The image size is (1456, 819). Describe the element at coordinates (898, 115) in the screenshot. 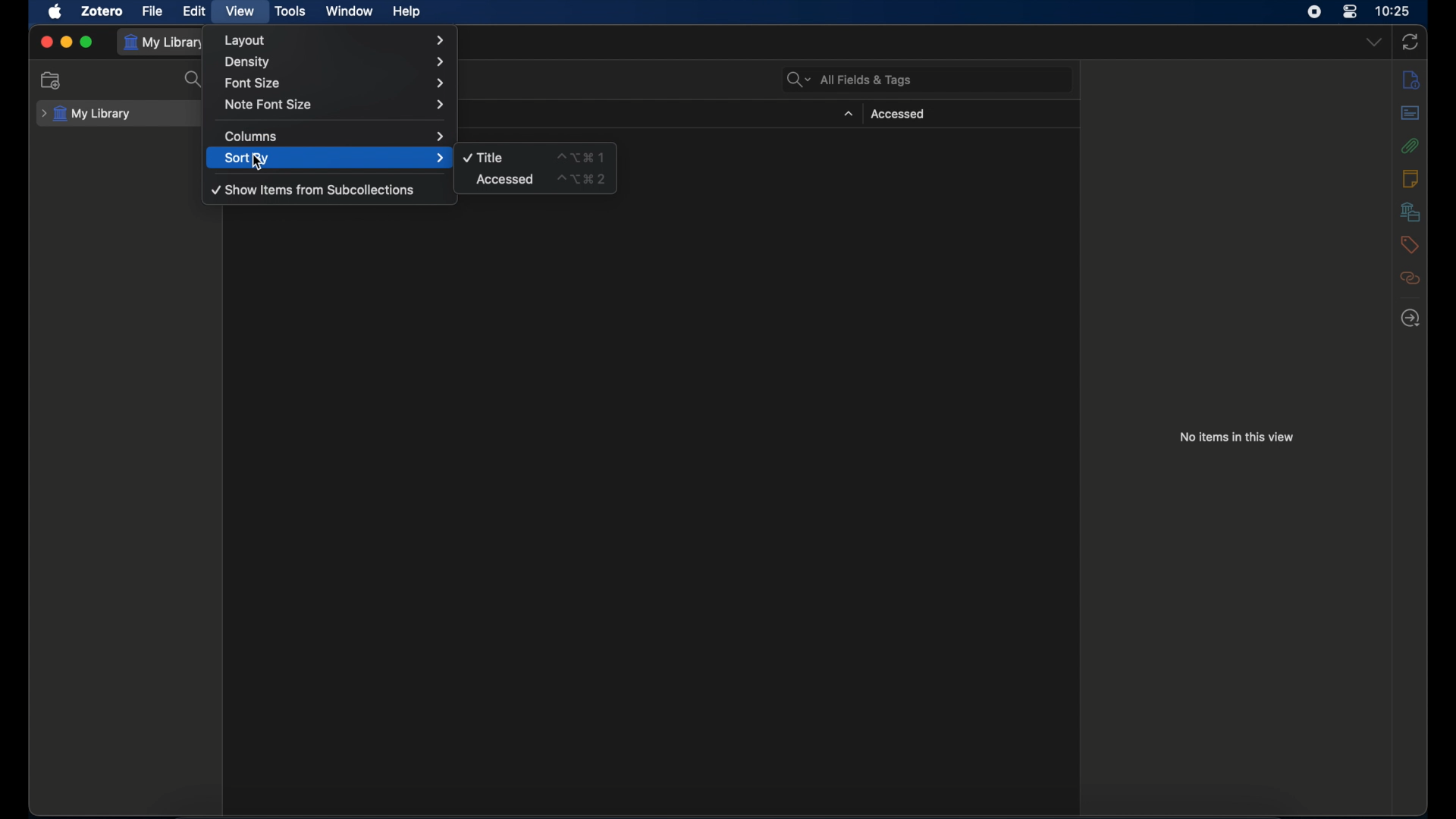

I see `accessed` at that location.